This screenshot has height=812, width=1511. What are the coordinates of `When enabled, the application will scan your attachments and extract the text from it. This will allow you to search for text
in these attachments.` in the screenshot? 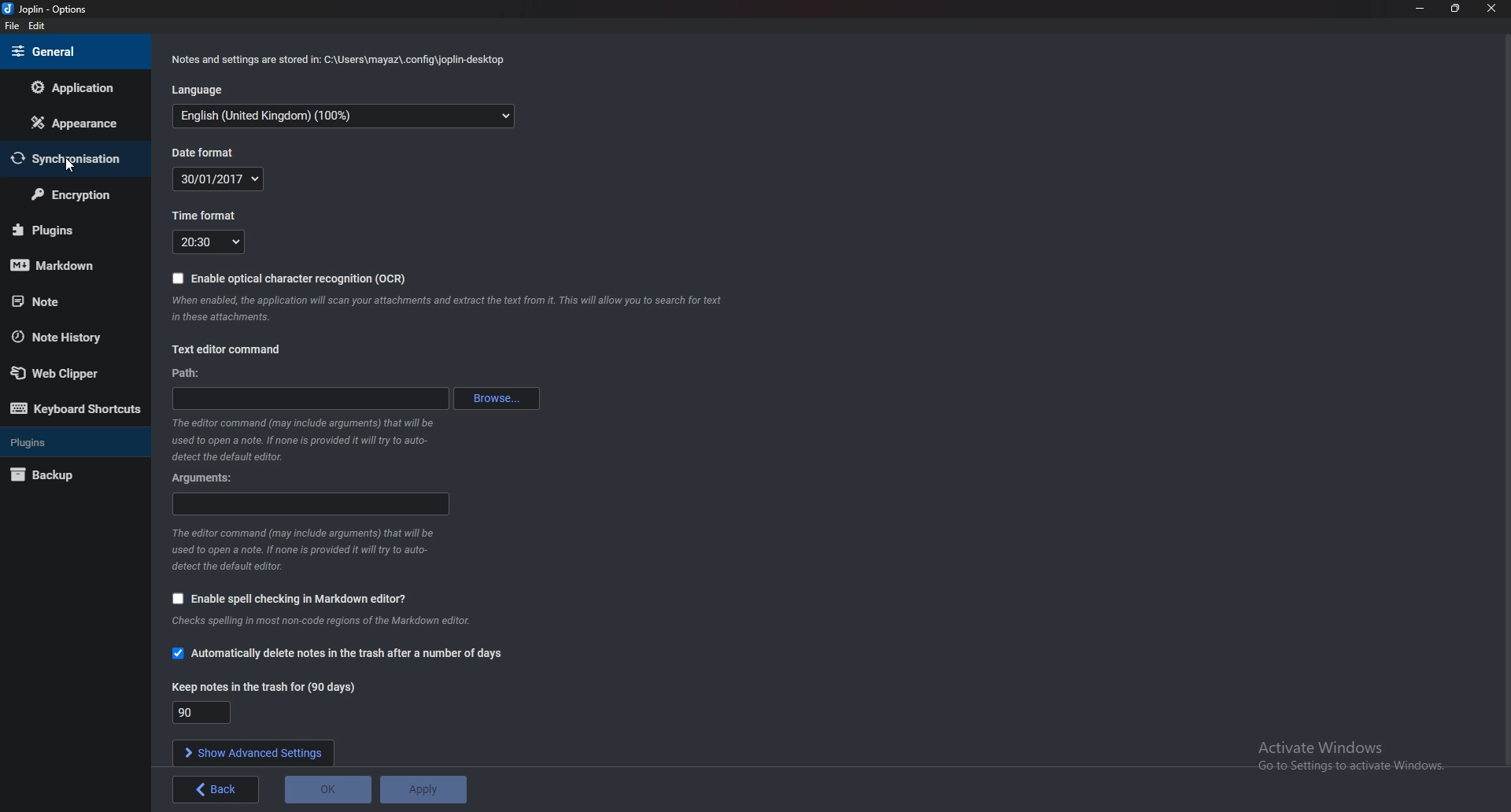 It's located at (450, 311).